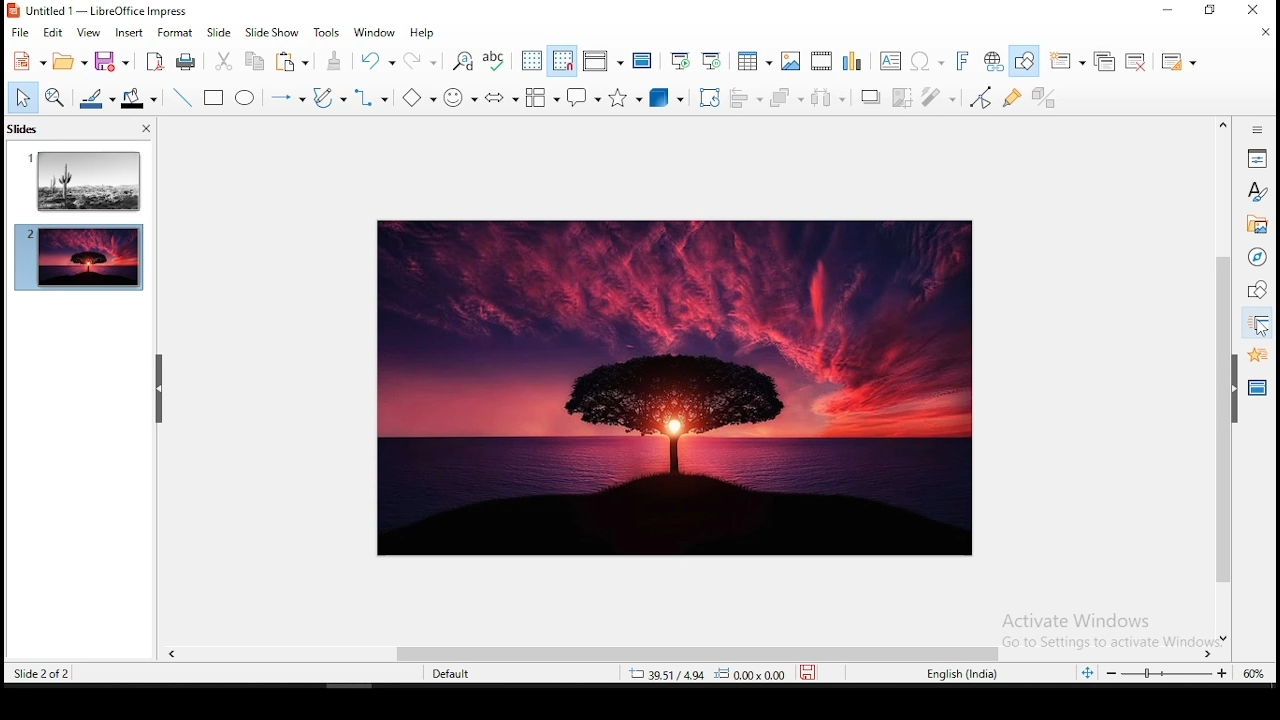 This screenshot has width=1280, height=720. Describe the element at coordinates (85, 180) in the screenshot. I see `slide 1` at that location.